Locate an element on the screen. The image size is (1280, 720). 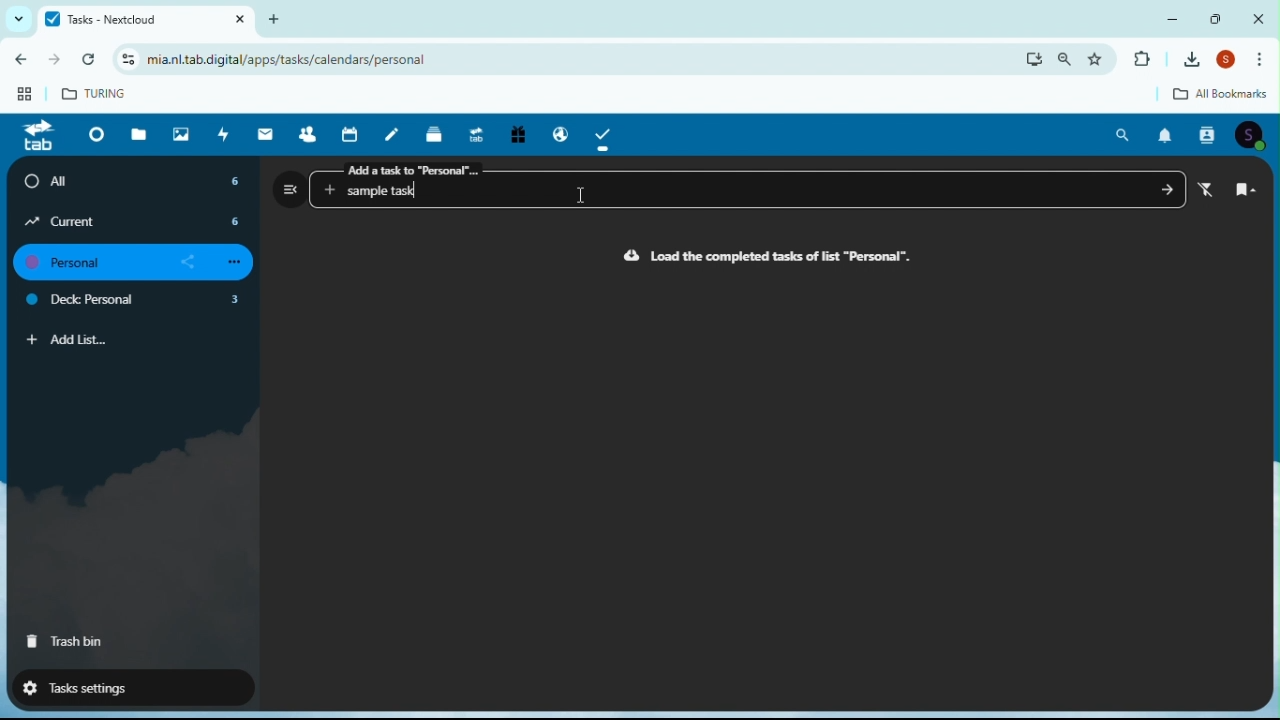
Downloads is located at coordinates (1195, 59).